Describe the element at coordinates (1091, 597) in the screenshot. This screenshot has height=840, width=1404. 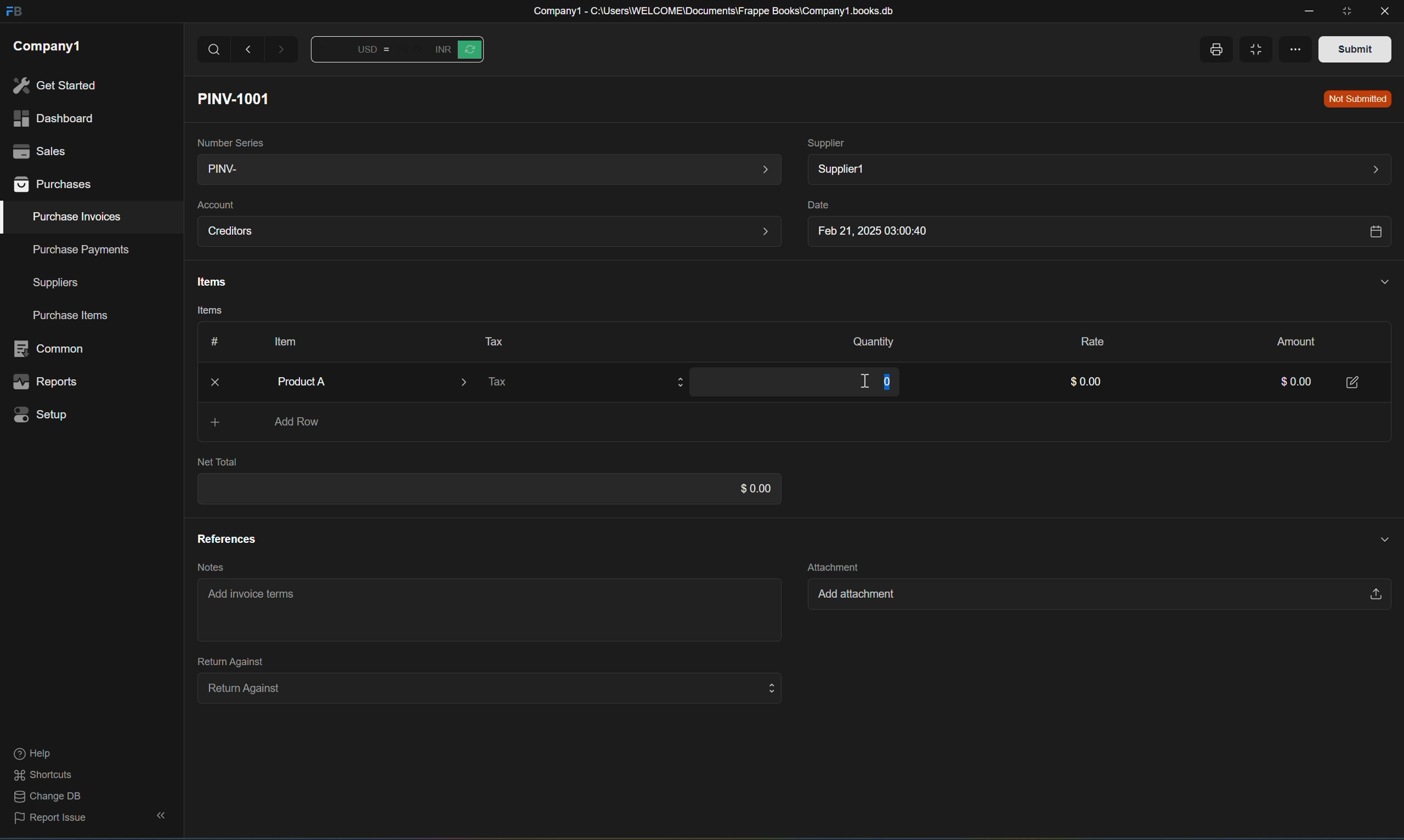
I see `Add attachment` at that location.